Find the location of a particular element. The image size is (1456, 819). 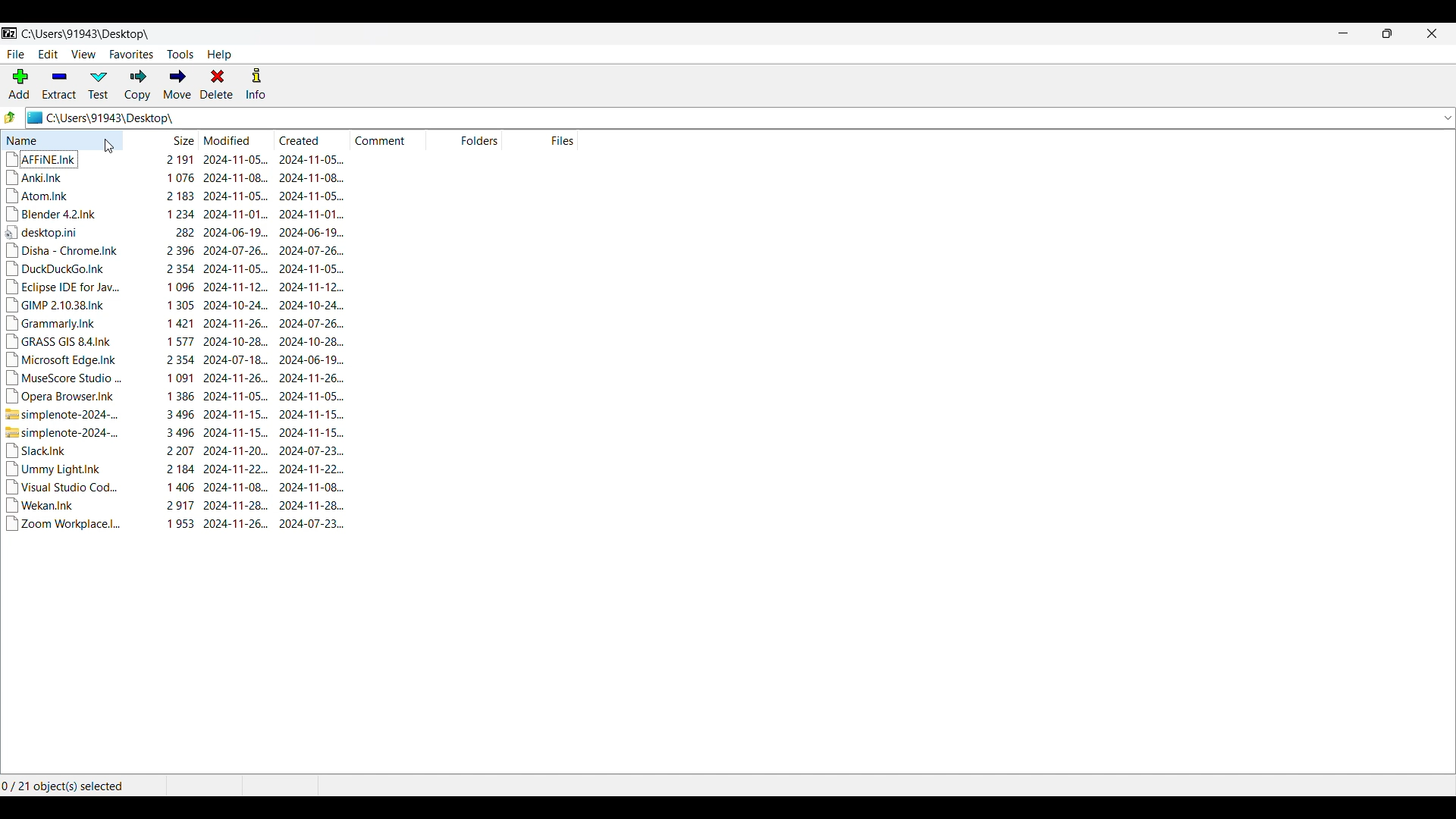

Go to previous folder is located at coordinates (10, 117).